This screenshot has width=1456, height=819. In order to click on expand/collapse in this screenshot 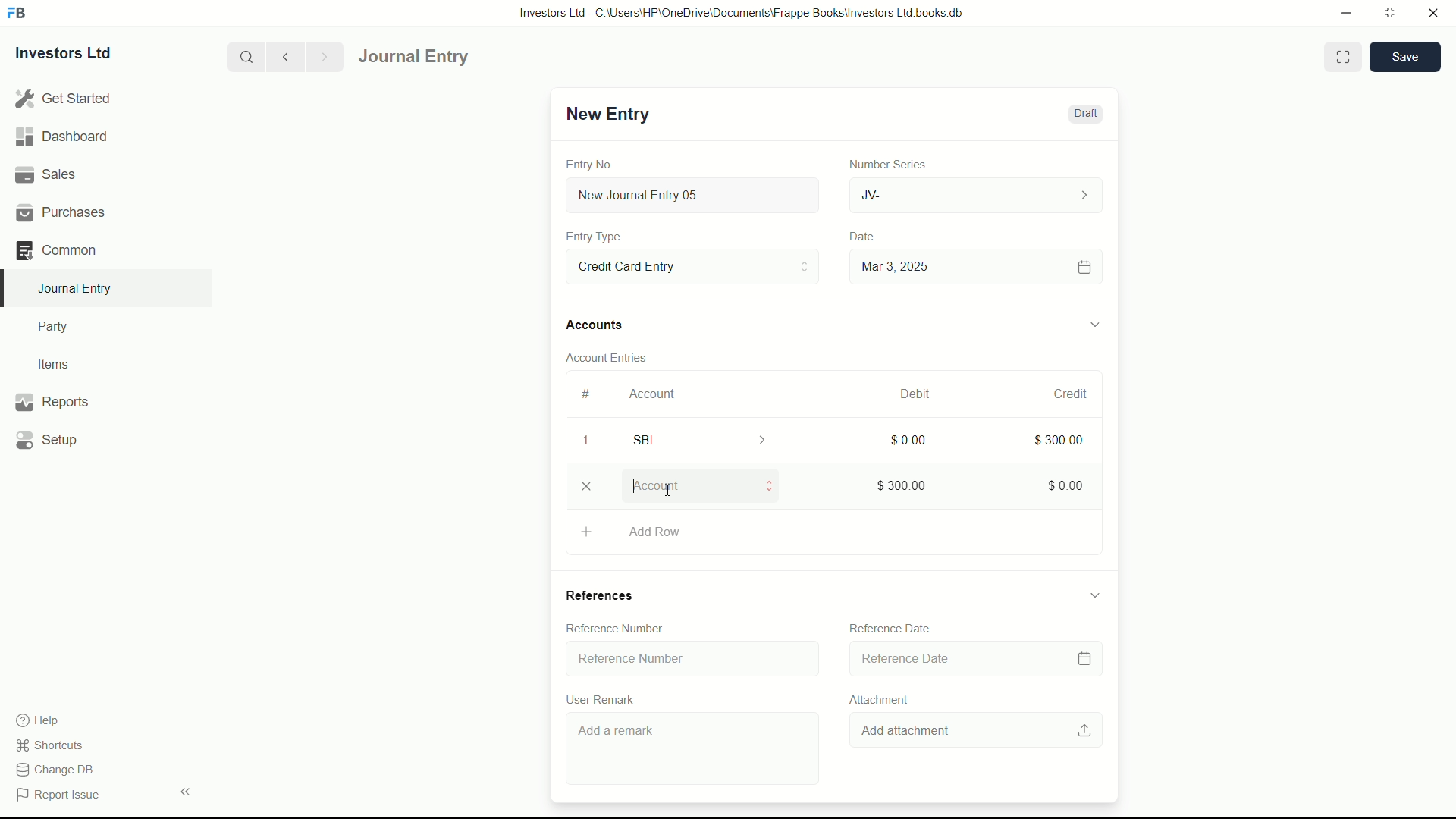, I will do `click(1094, 594)`.